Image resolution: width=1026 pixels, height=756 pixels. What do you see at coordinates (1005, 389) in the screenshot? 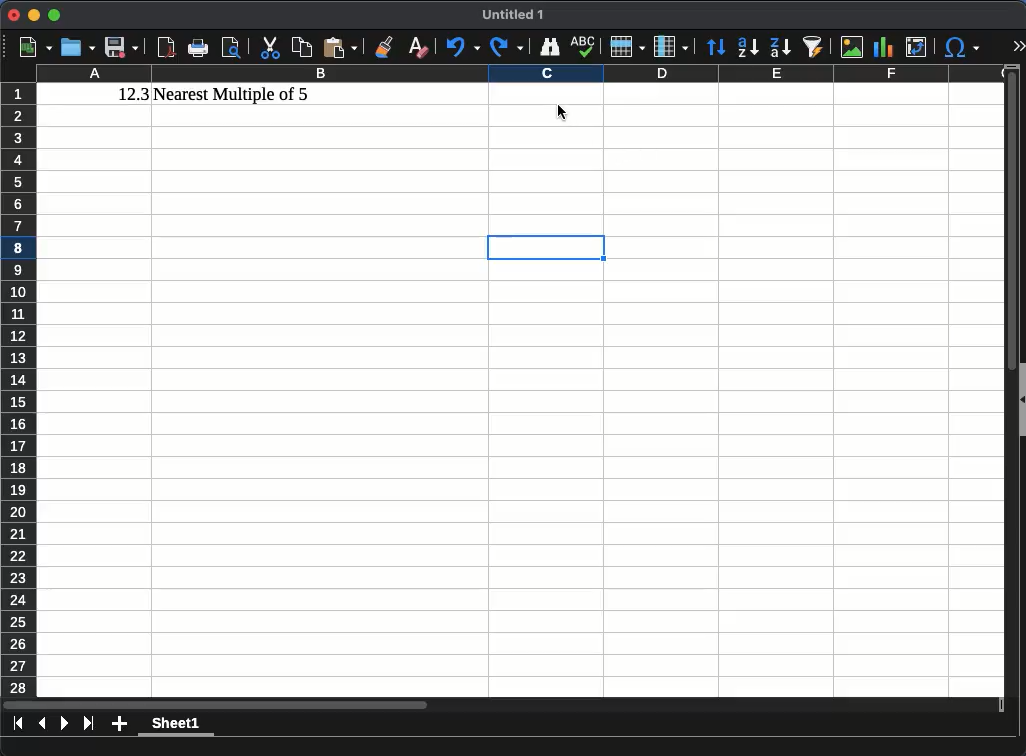
I see `scroll` at bounding box center [1005, 389].